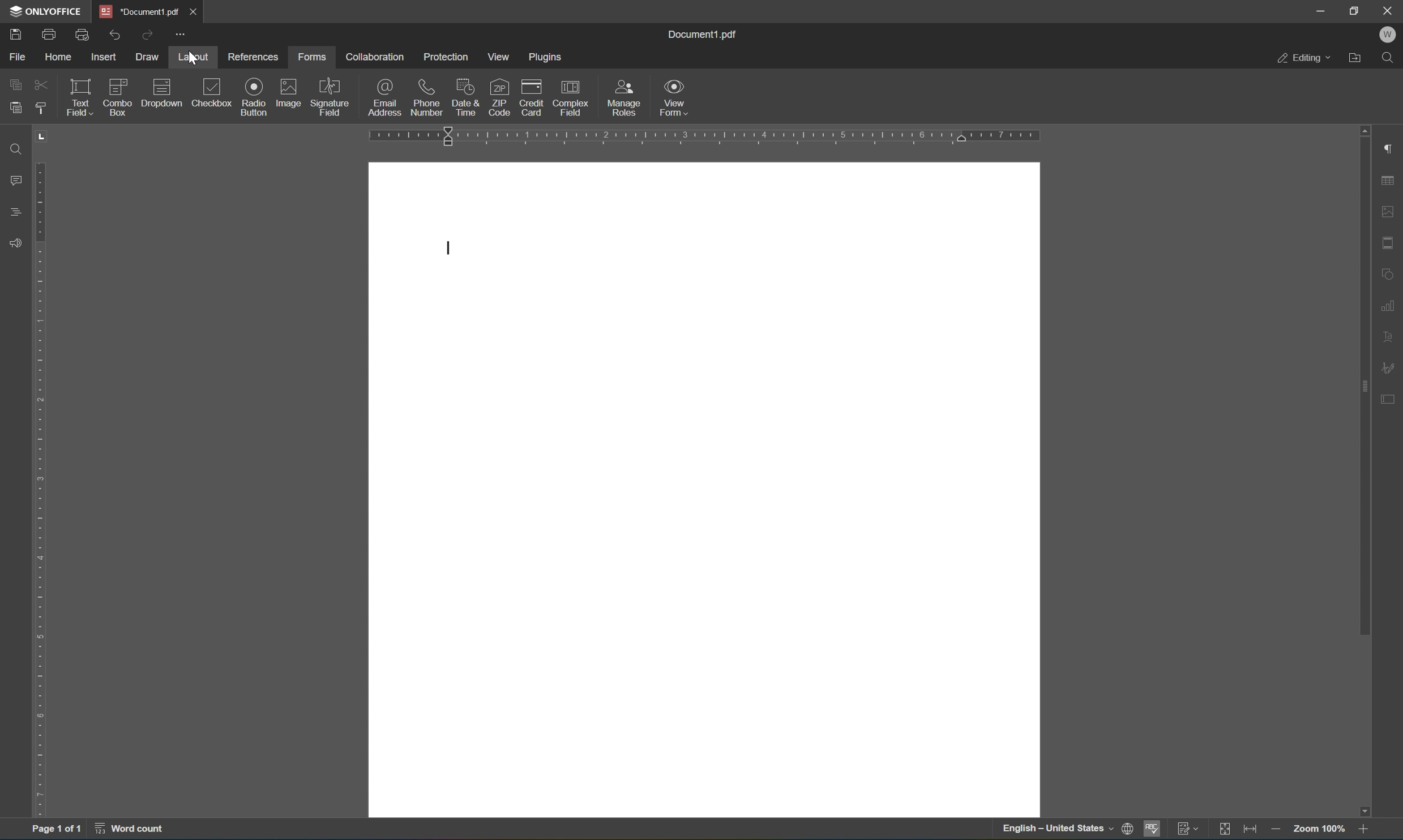  I want to click on colaboration, so click(375, 55).